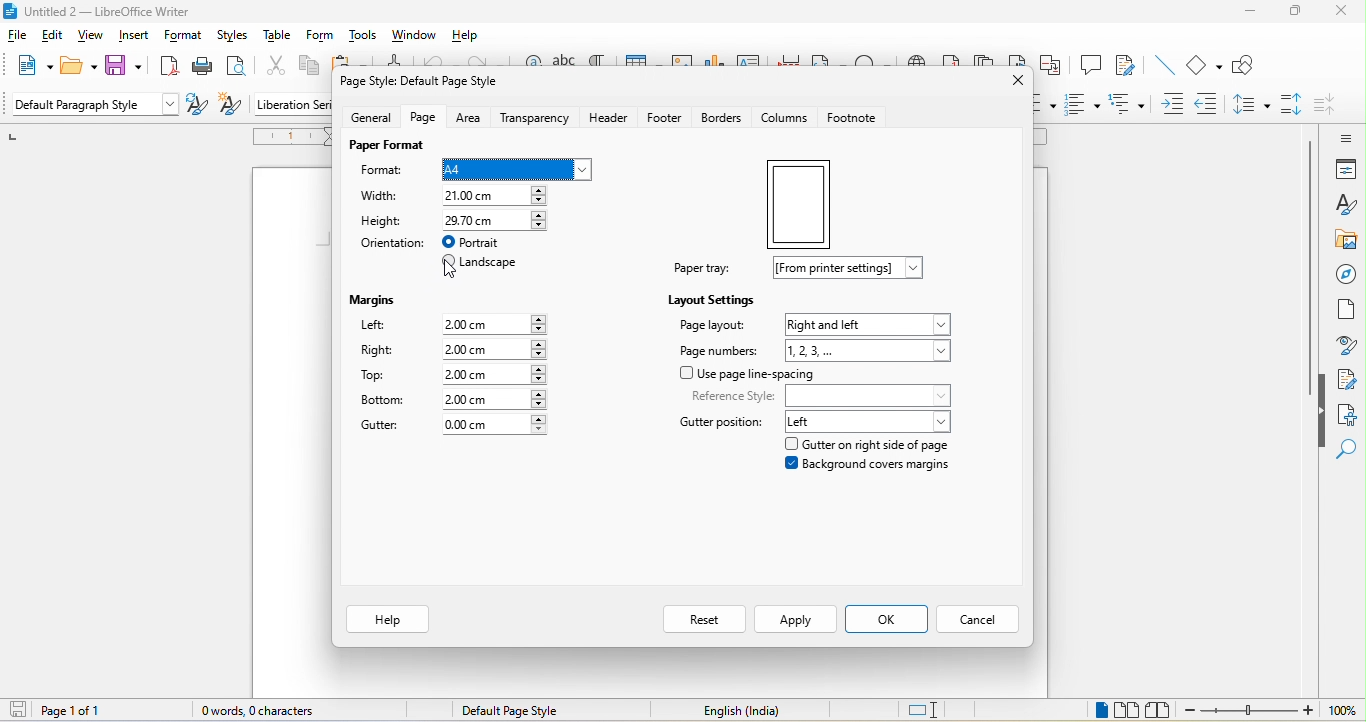  Describe the element at coordinates (610, 119) in the screenshot. I see `header` at that location.